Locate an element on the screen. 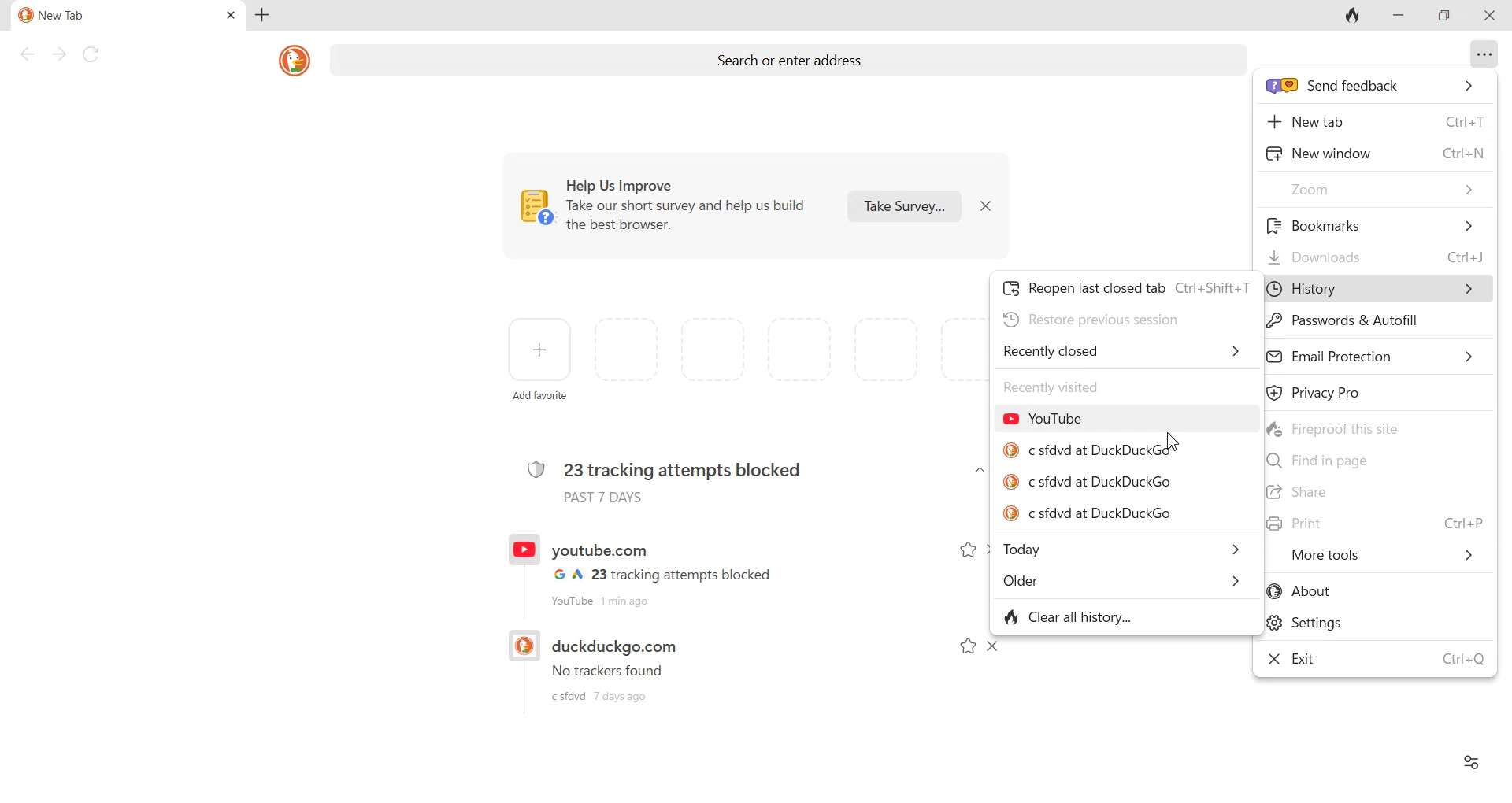  Forward is located at coordinates (57, 54).